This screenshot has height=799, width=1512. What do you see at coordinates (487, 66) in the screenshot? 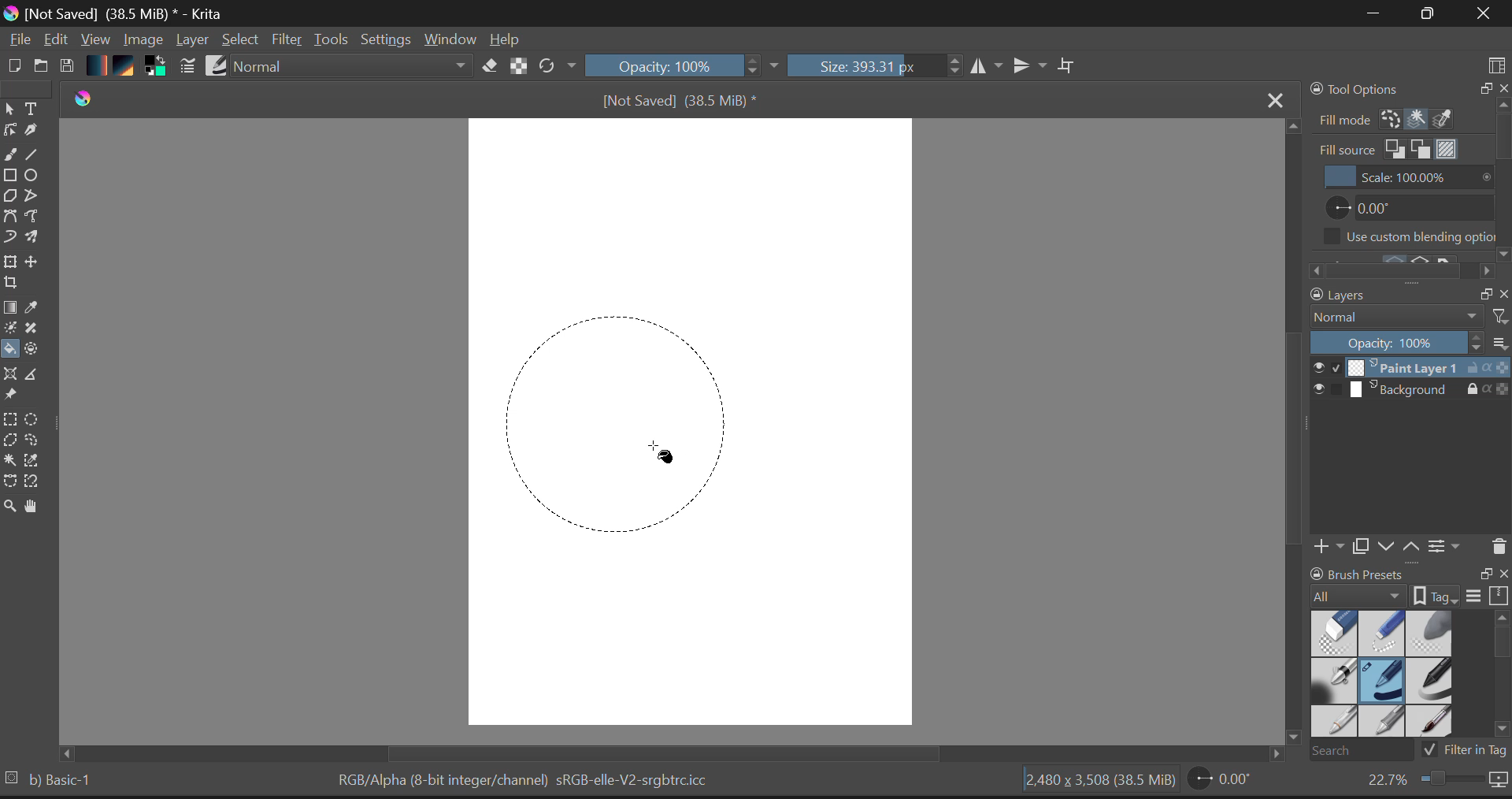
I see `Eraser` at bounding box center [487, 66].